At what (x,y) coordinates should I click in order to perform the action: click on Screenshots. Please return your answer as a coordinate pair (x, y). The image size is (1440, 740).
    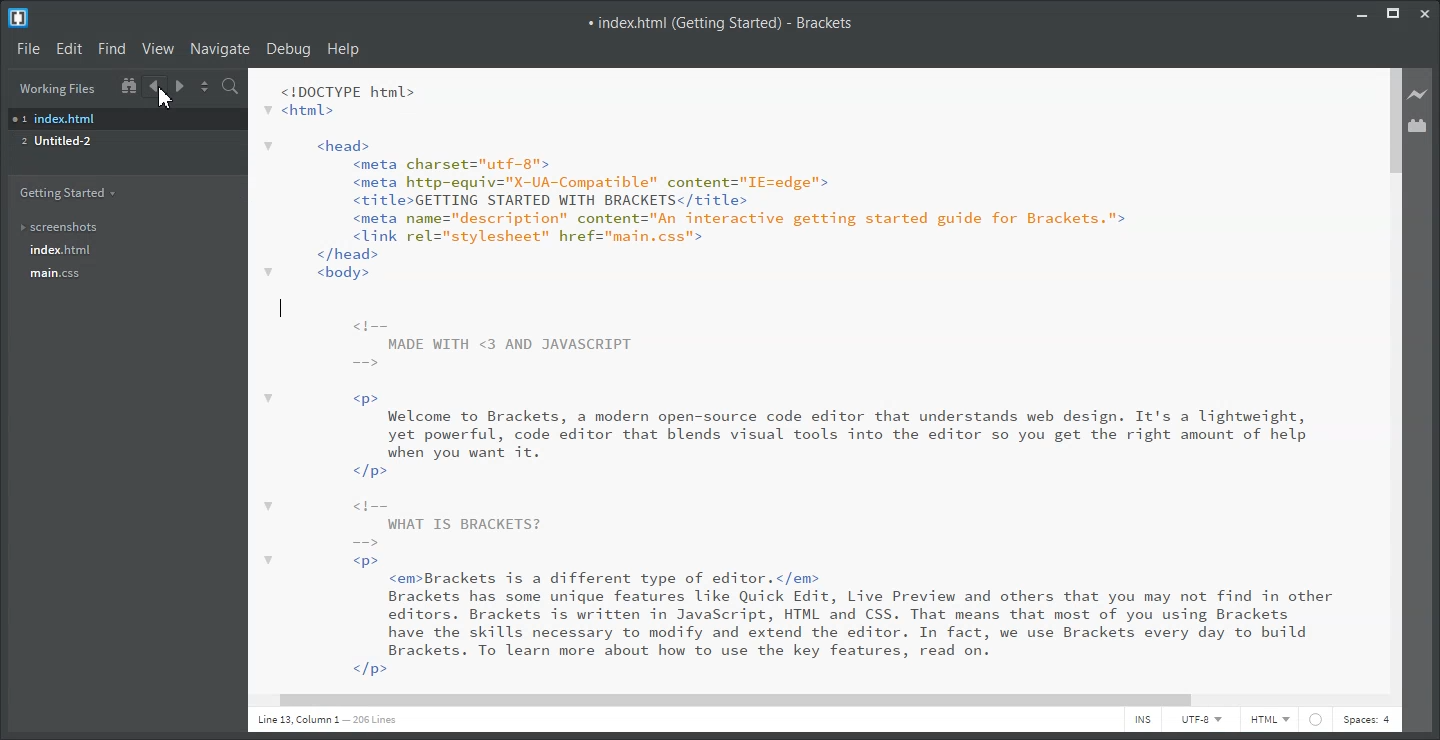
    Looking at the image, I should click on (63, 228).